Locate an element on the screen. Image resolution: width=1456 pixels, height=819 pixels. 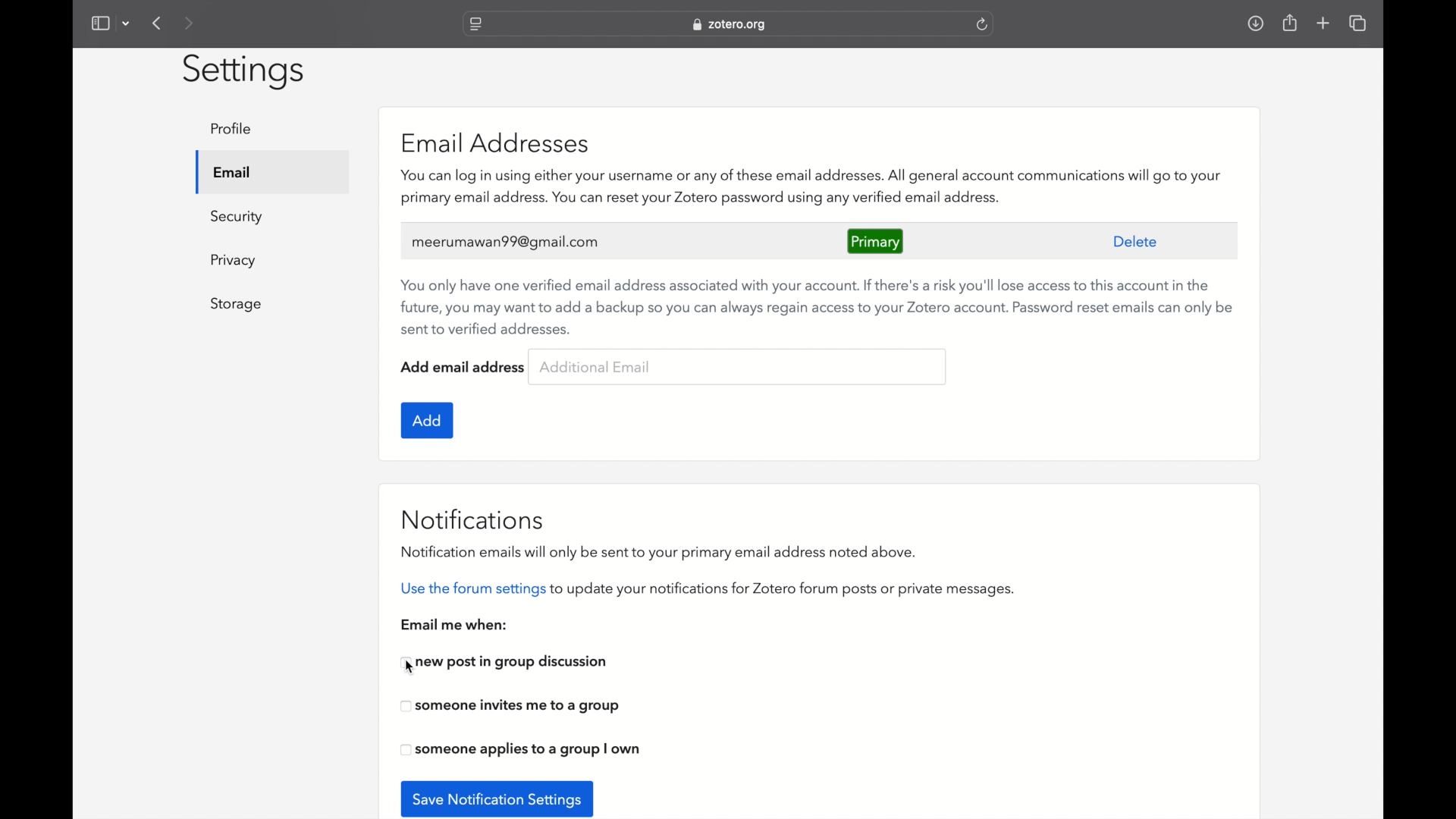
add is located at coordinates (428, 420).